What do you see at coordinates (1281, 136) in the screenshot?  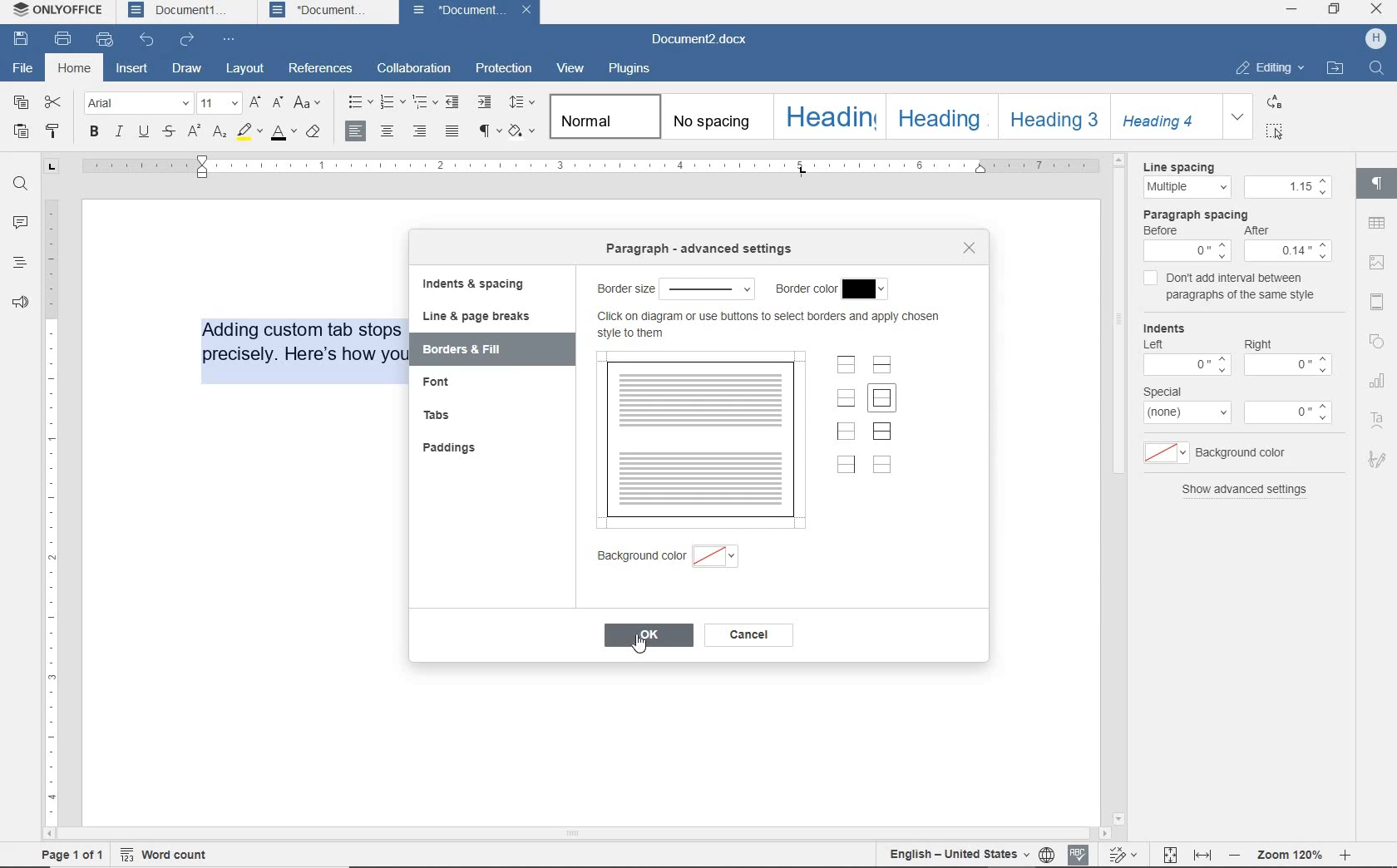 I see `cursor` at bounding box center [1281, 136].